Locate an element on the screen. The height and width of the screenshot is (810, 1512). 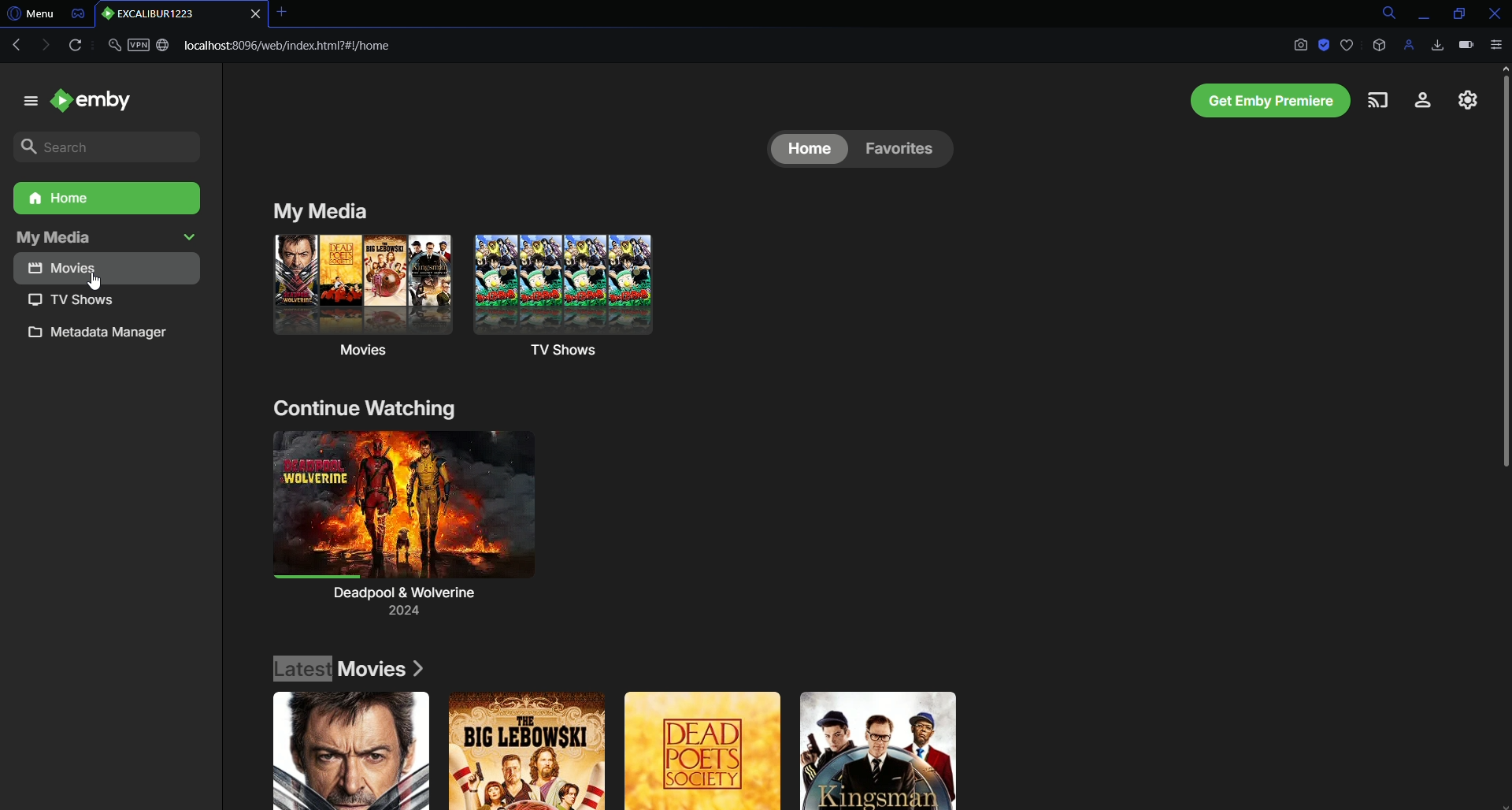
Search is located at coordinates (1380, 13).